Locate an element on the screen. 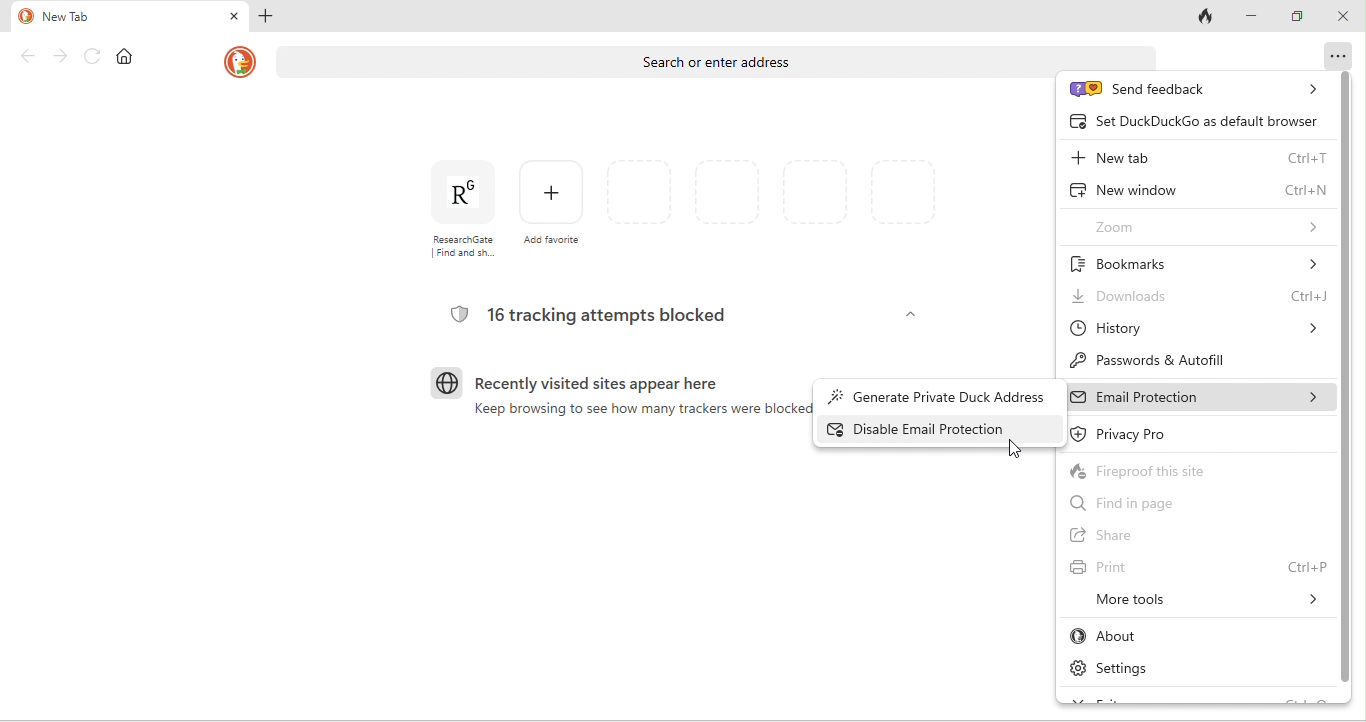 This screenshot has height=722, width=1366. settings is located at coordinates (1129, 666).